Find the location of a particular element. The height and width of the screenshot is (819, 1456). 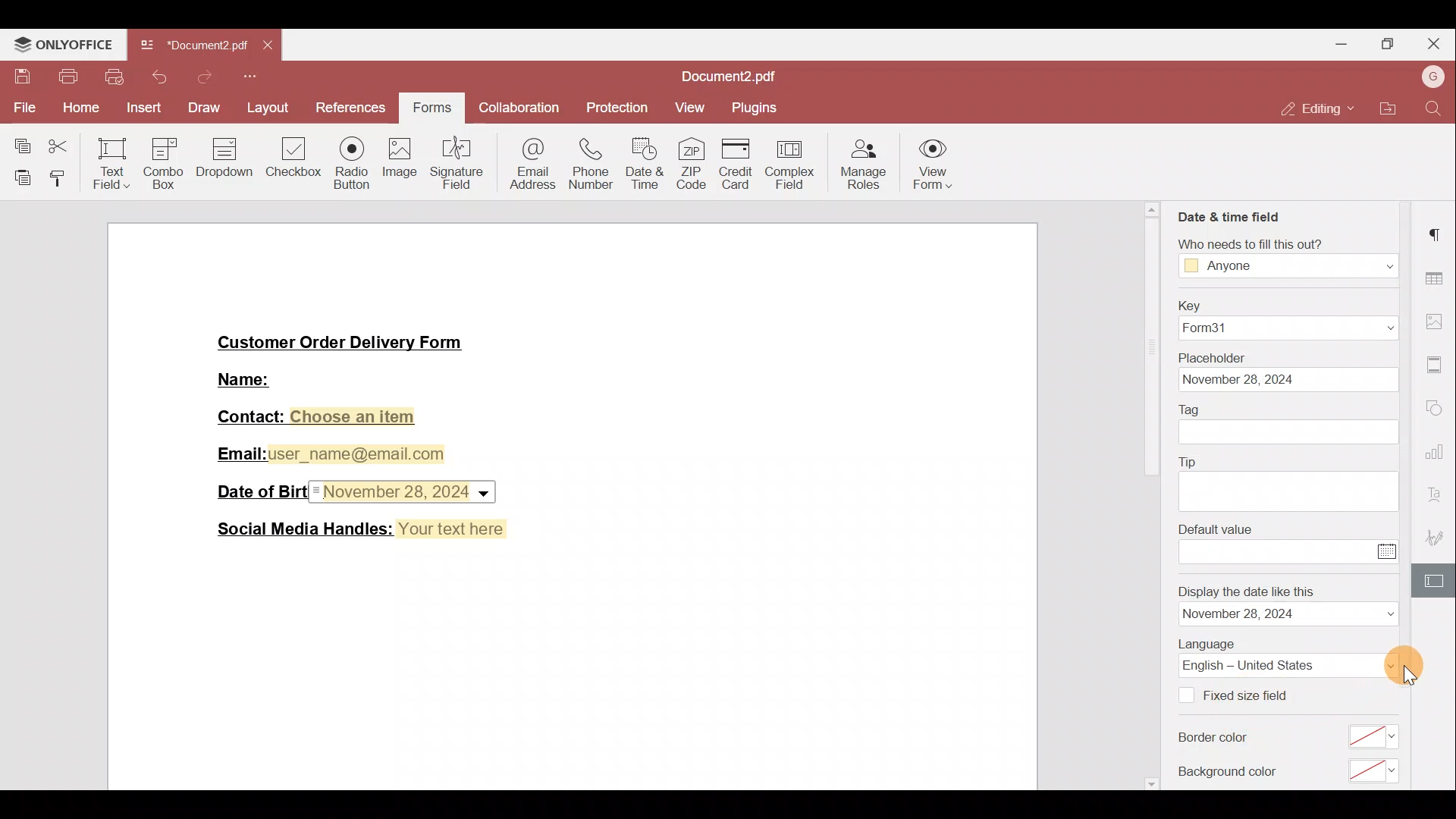

Contact: Choose an item is located at coordinates (318, 418).